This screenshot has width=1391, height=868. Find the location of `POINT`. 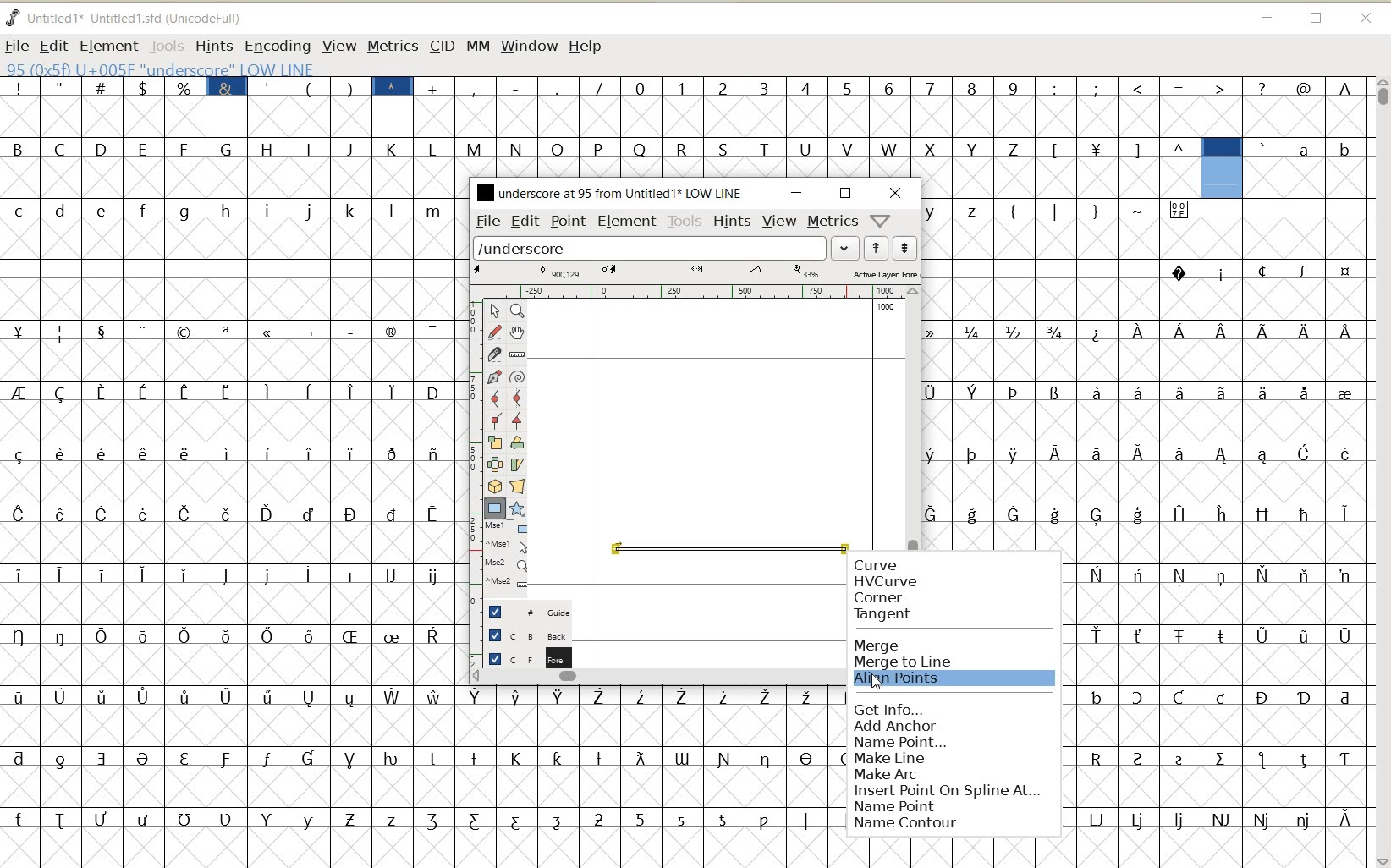

POINT is located at coordinates (569, 223).